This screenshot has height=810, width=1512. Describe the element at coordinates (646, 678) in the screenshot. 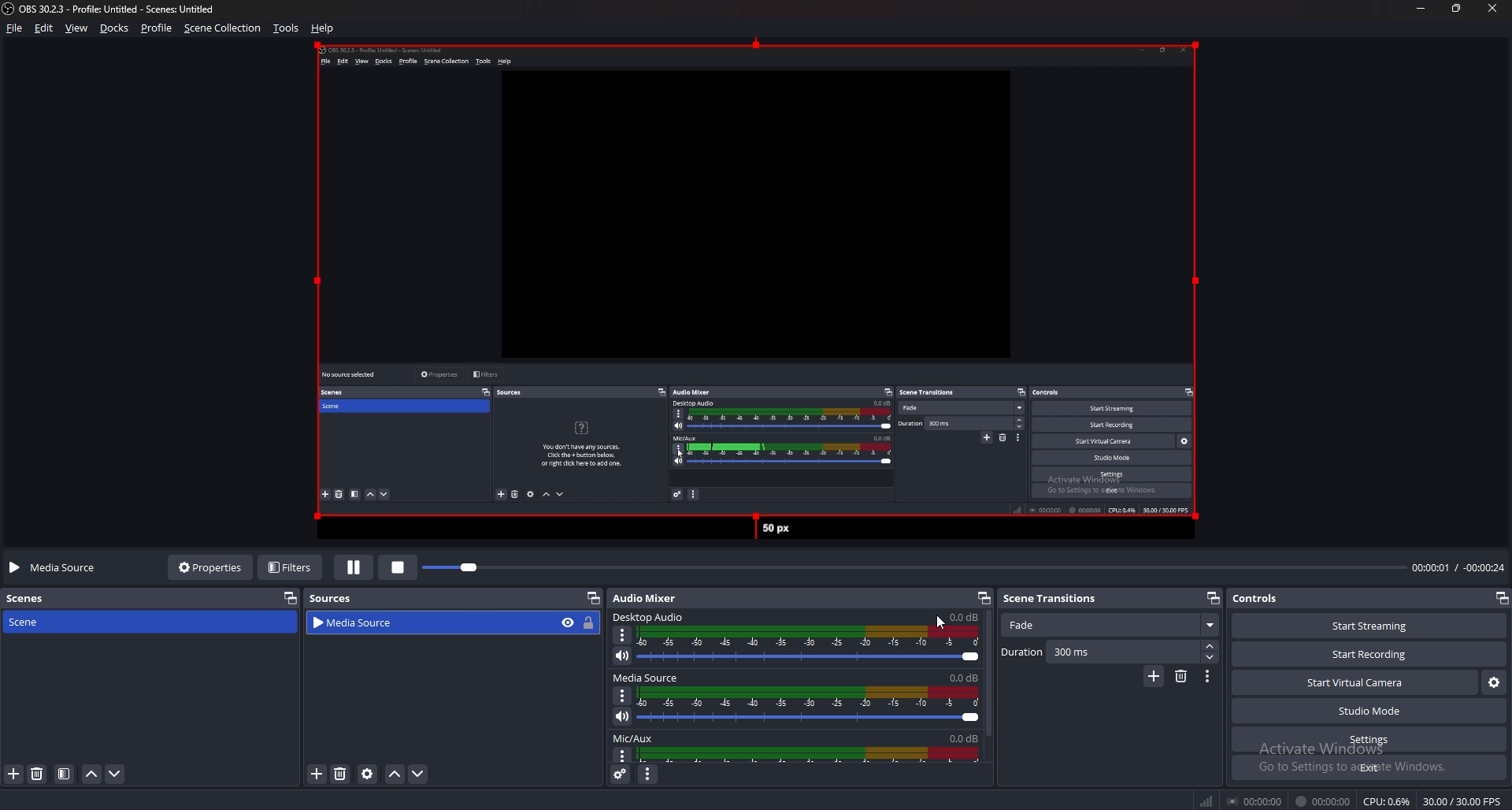

I see `media source` at that location.